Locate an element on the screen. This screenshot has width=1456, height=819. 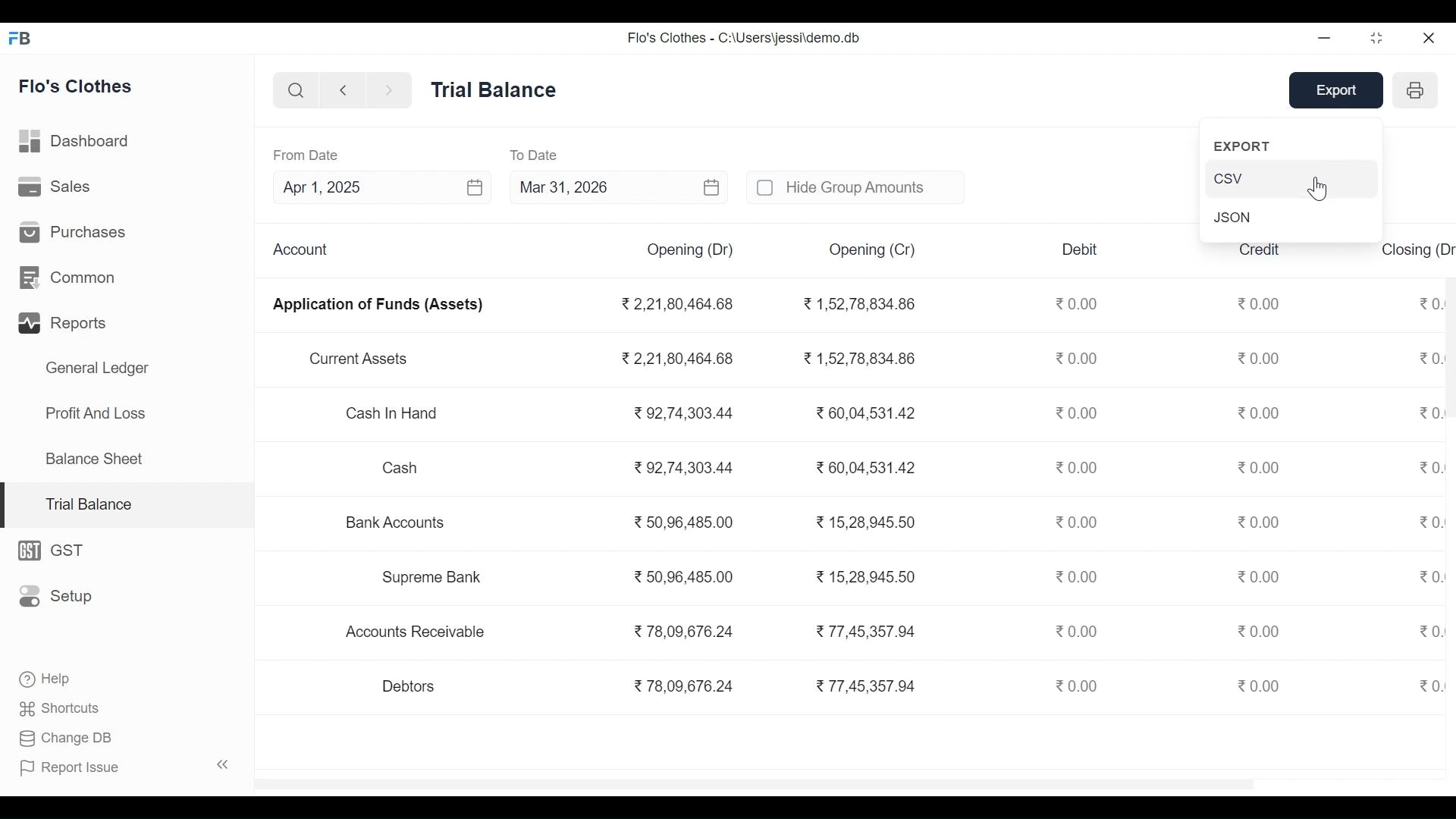
92,74,303.44 is located at coordinates (683, 467).